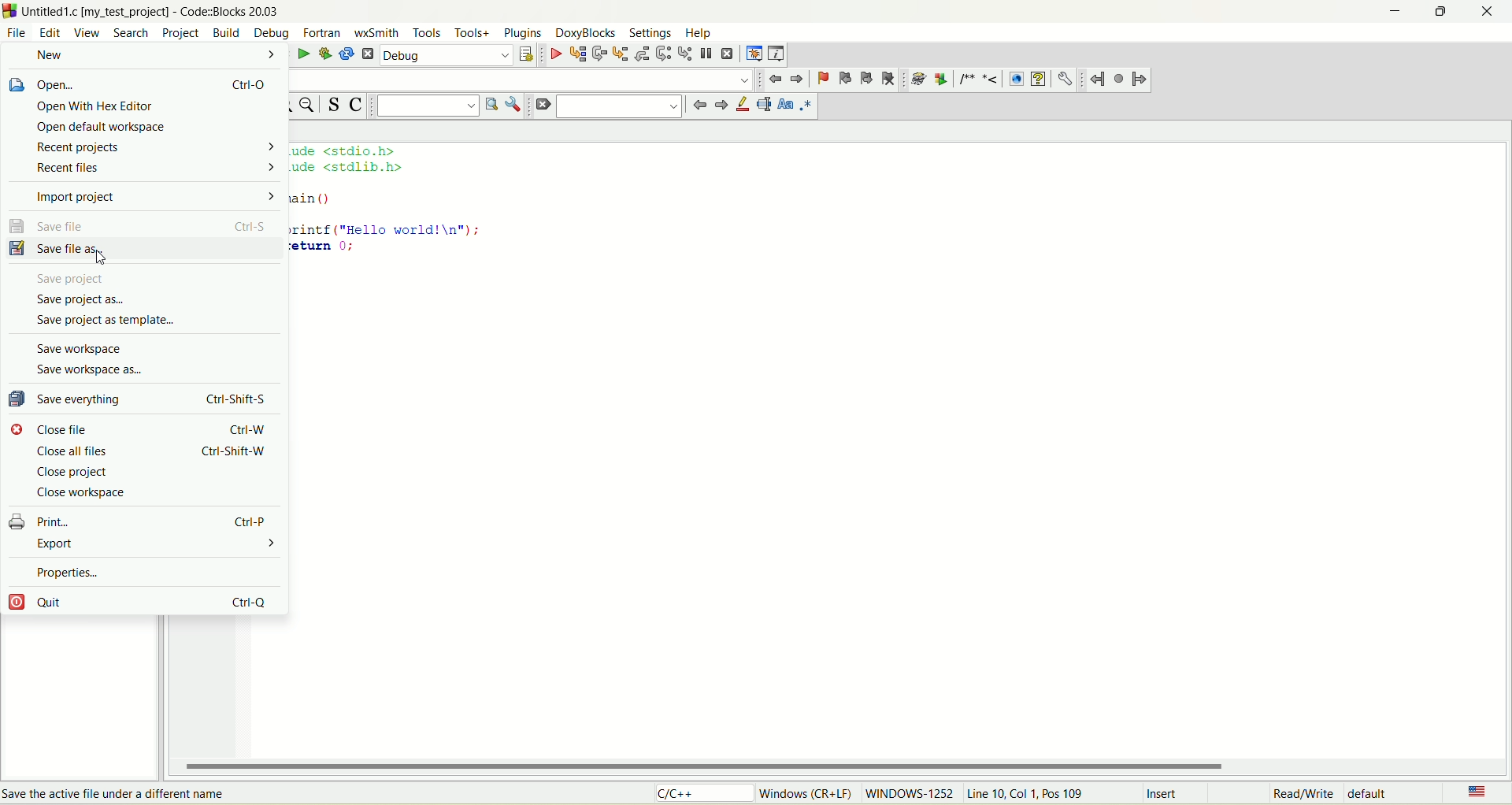  Describe the element at coordinates (158, 147) in the screenshot. I see `recent projects` at that location.